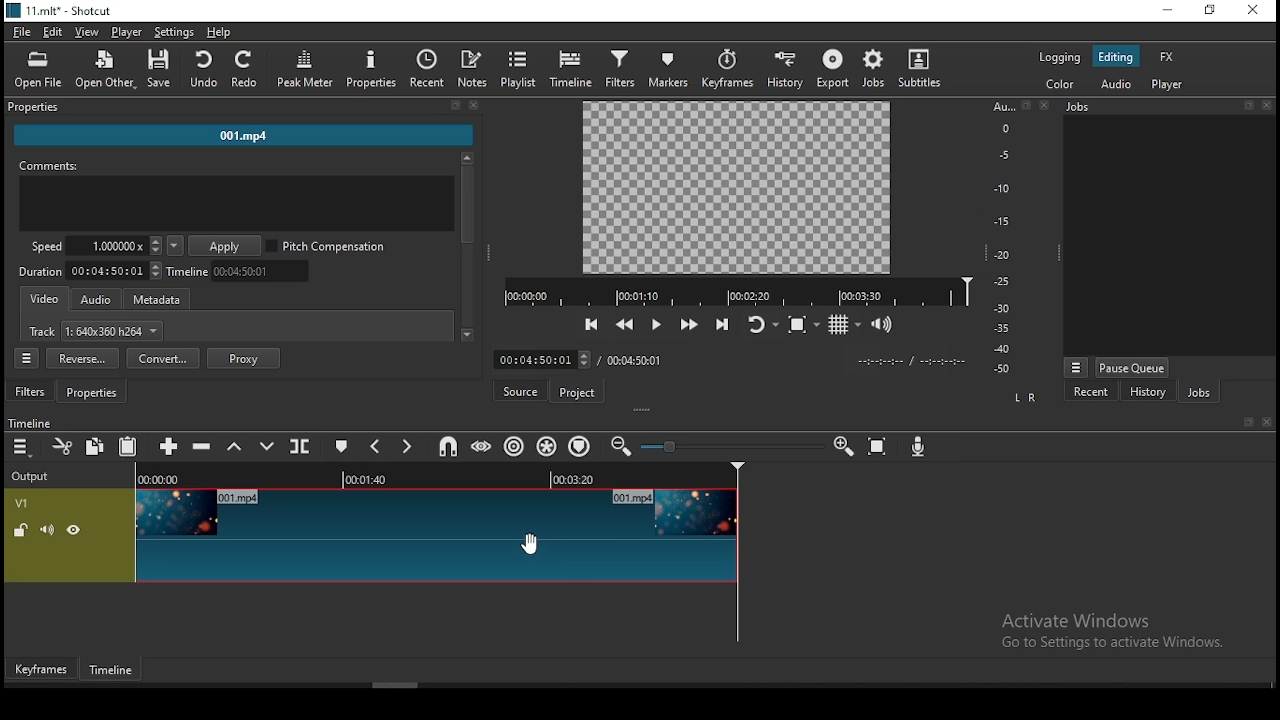 Image resolution: width=1280 pixels, height=720 pixels. Describe the element at coordinates (1091, 394) in the screenshot. I see `recent` at that location.